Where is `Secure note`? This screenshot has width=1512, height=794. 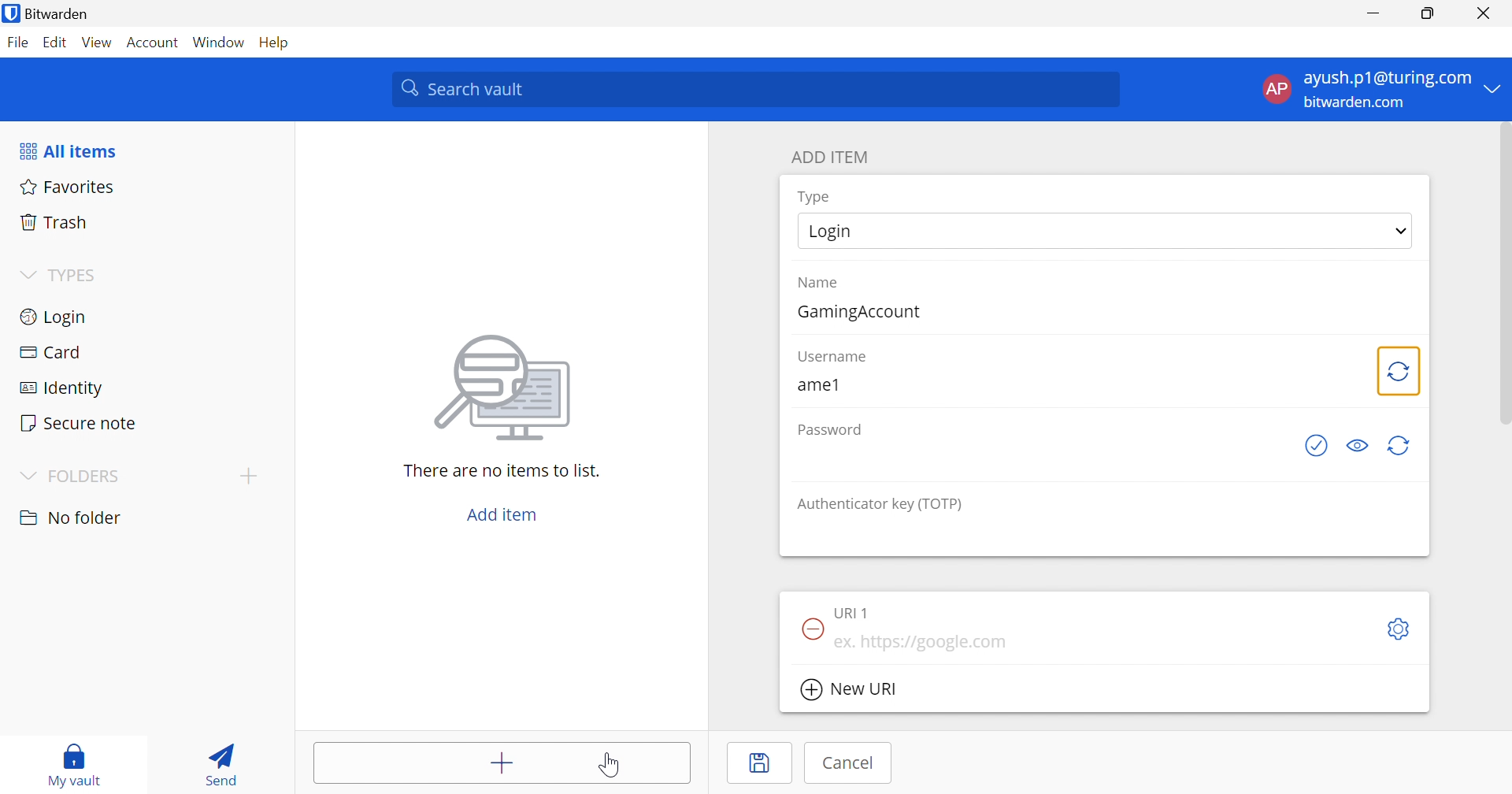
Secure note is located at coordinates (80, 421).